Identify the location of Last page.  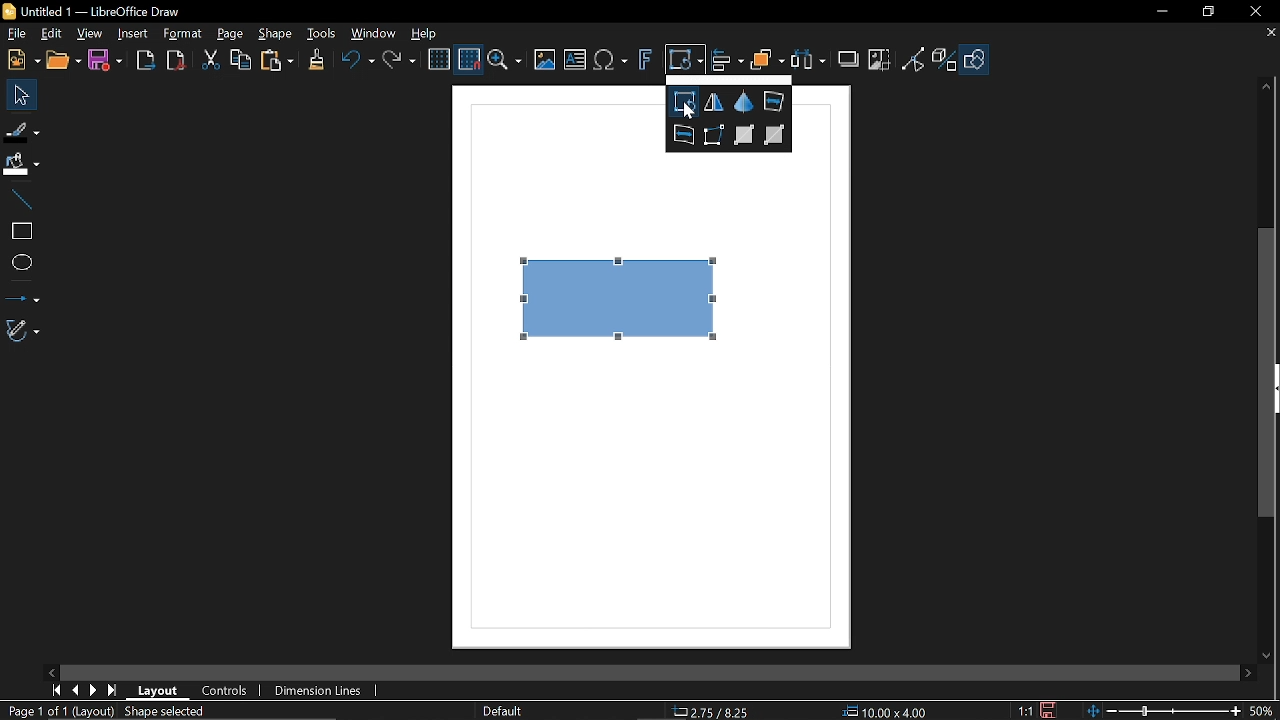
(112, 691).